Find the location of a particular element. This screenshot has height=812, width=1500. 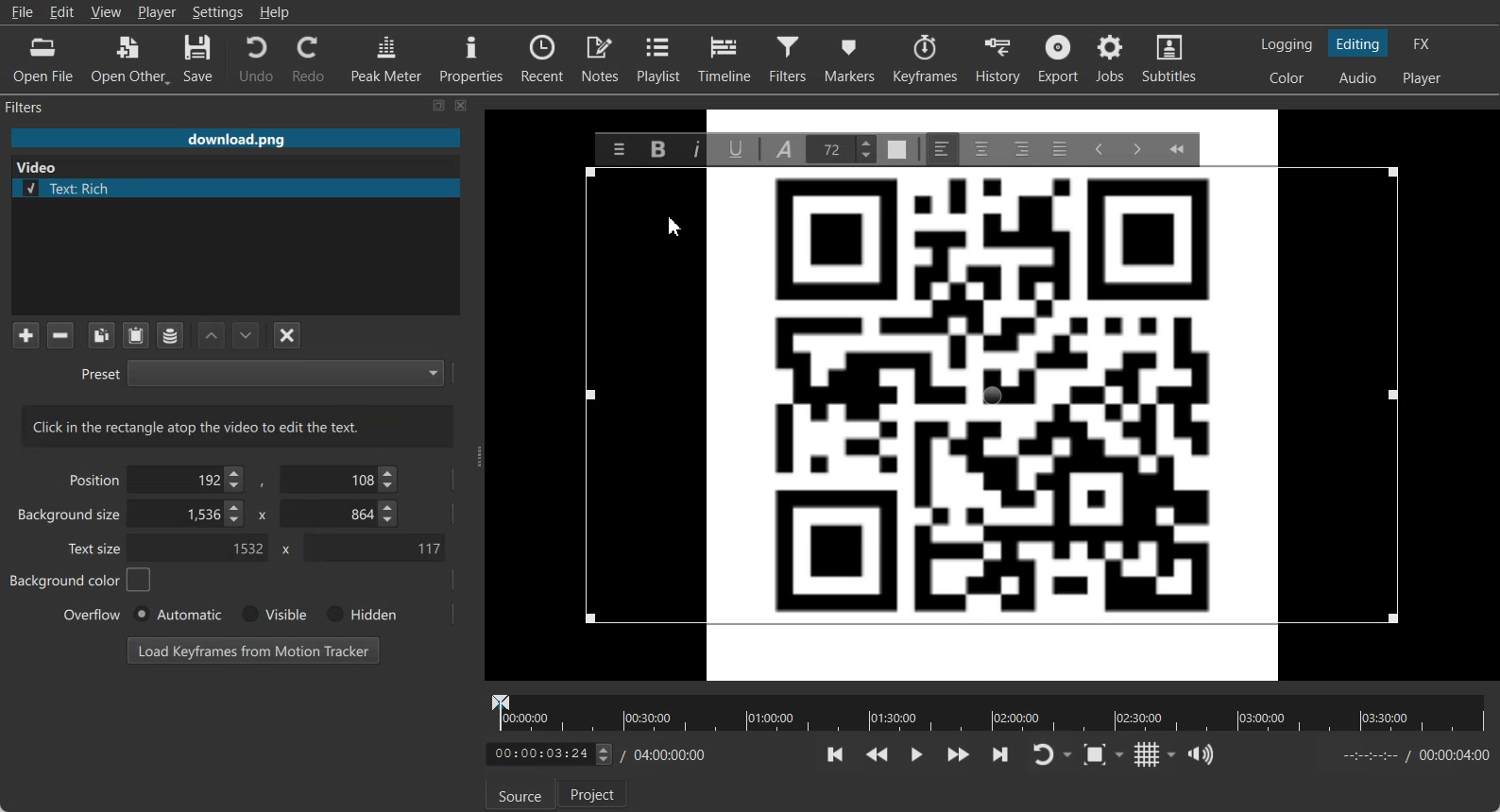

Edit is located at coordinates (62, 11).